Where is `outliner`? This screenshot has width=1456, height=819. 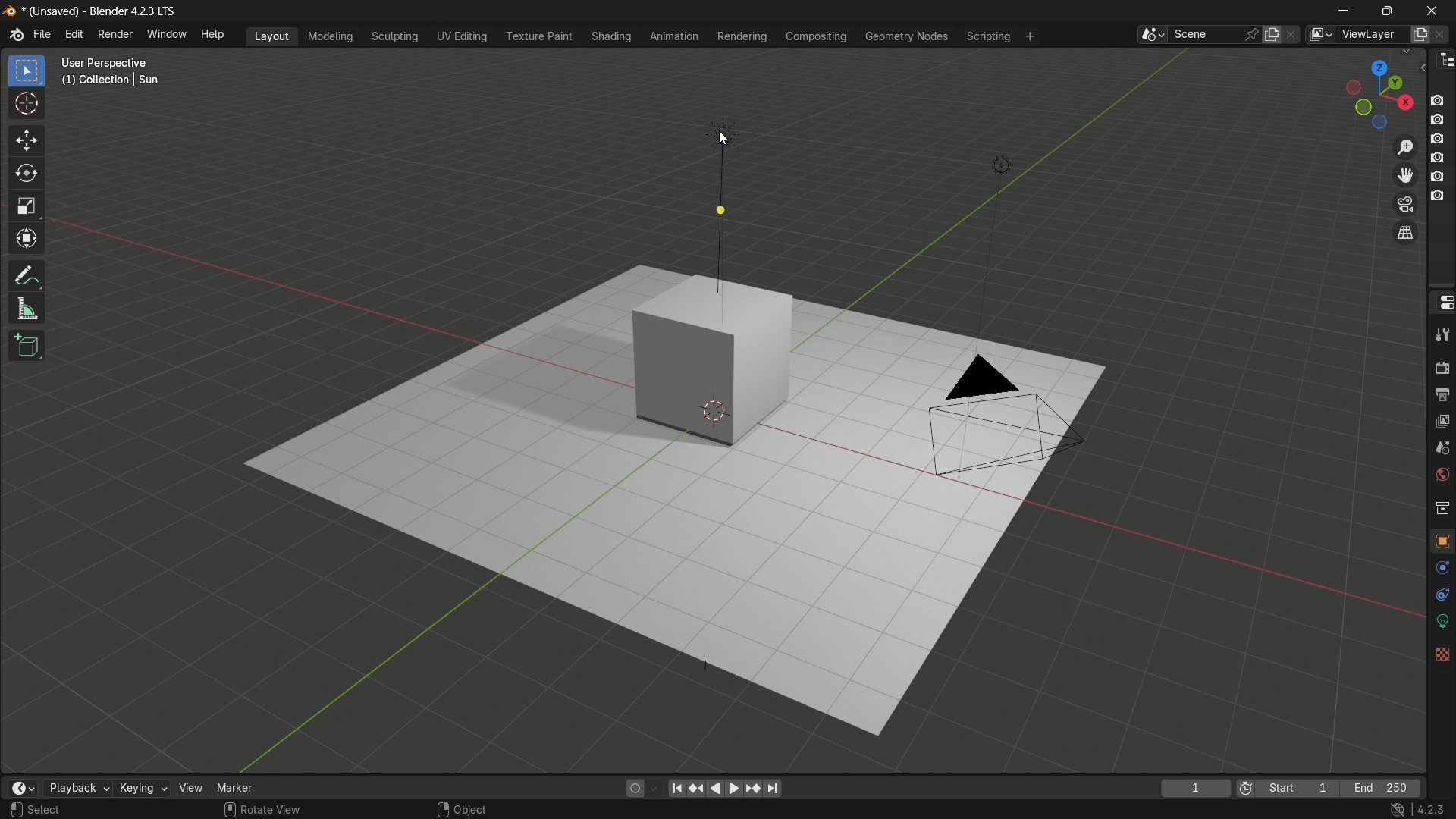 outliner is located at coordinates (1446, 62).